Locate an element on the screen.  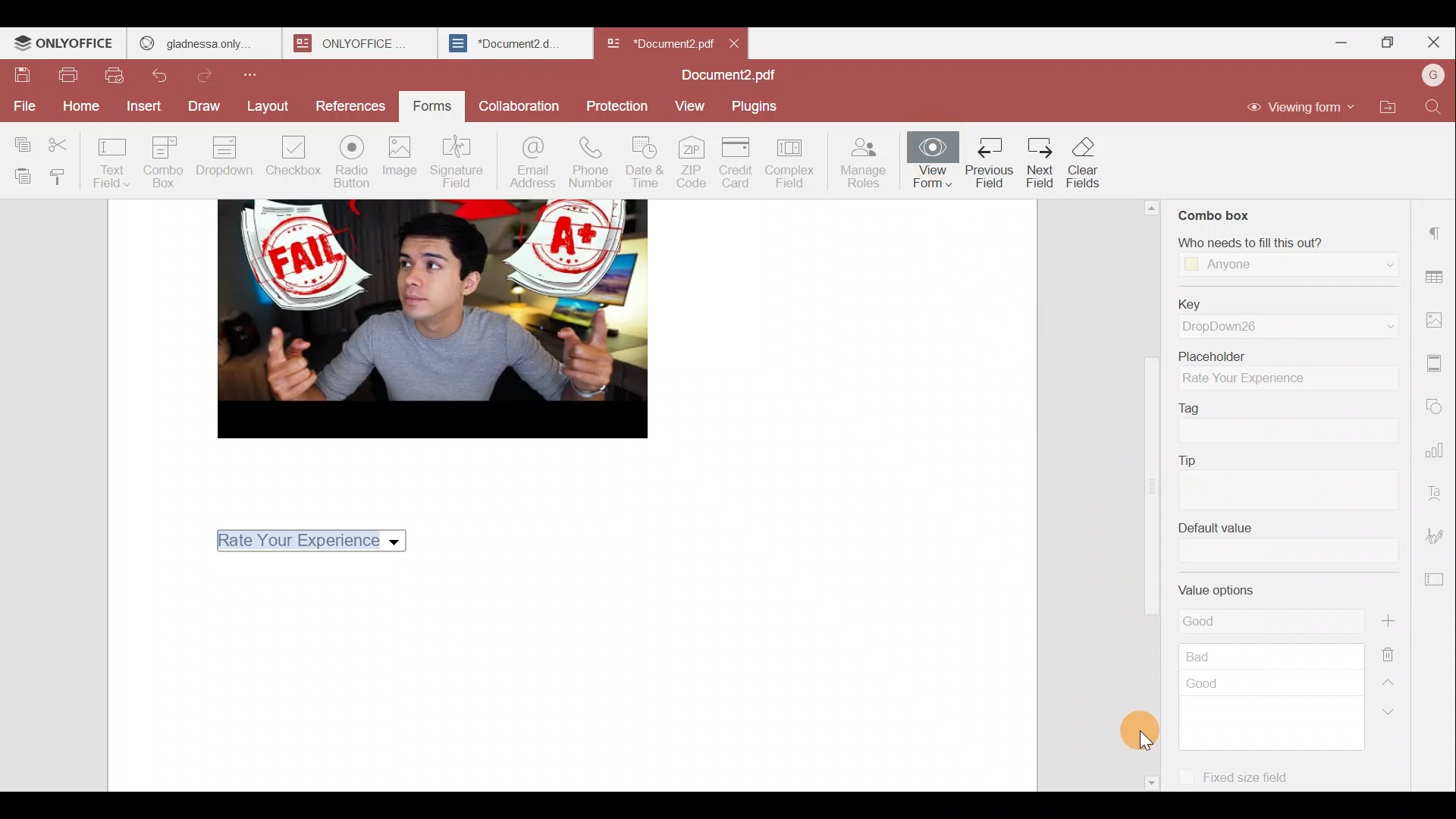
Layout is located at coordinates (267, 108).